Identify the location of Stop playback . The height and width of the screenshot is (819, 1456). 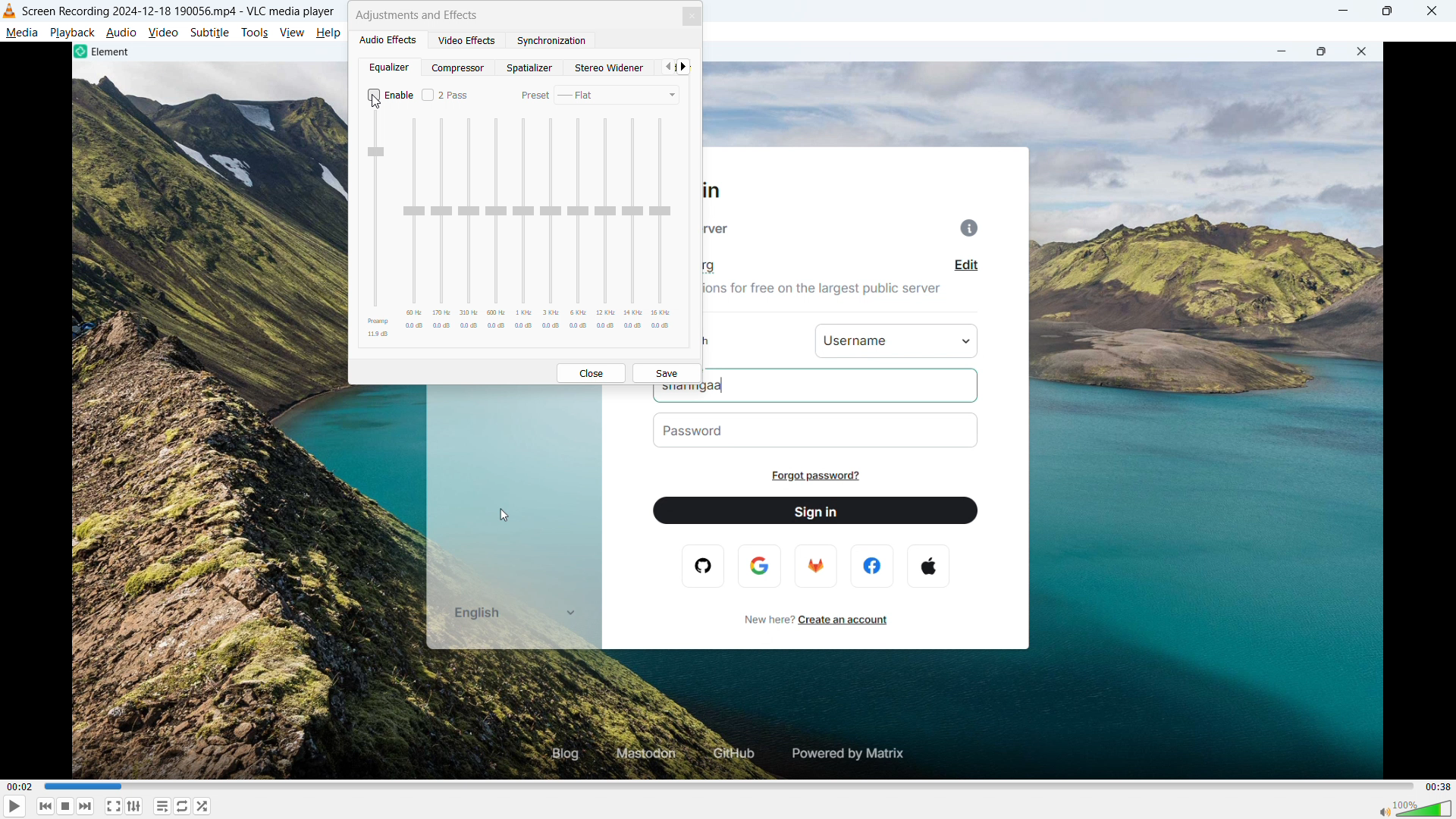
(67, 805).